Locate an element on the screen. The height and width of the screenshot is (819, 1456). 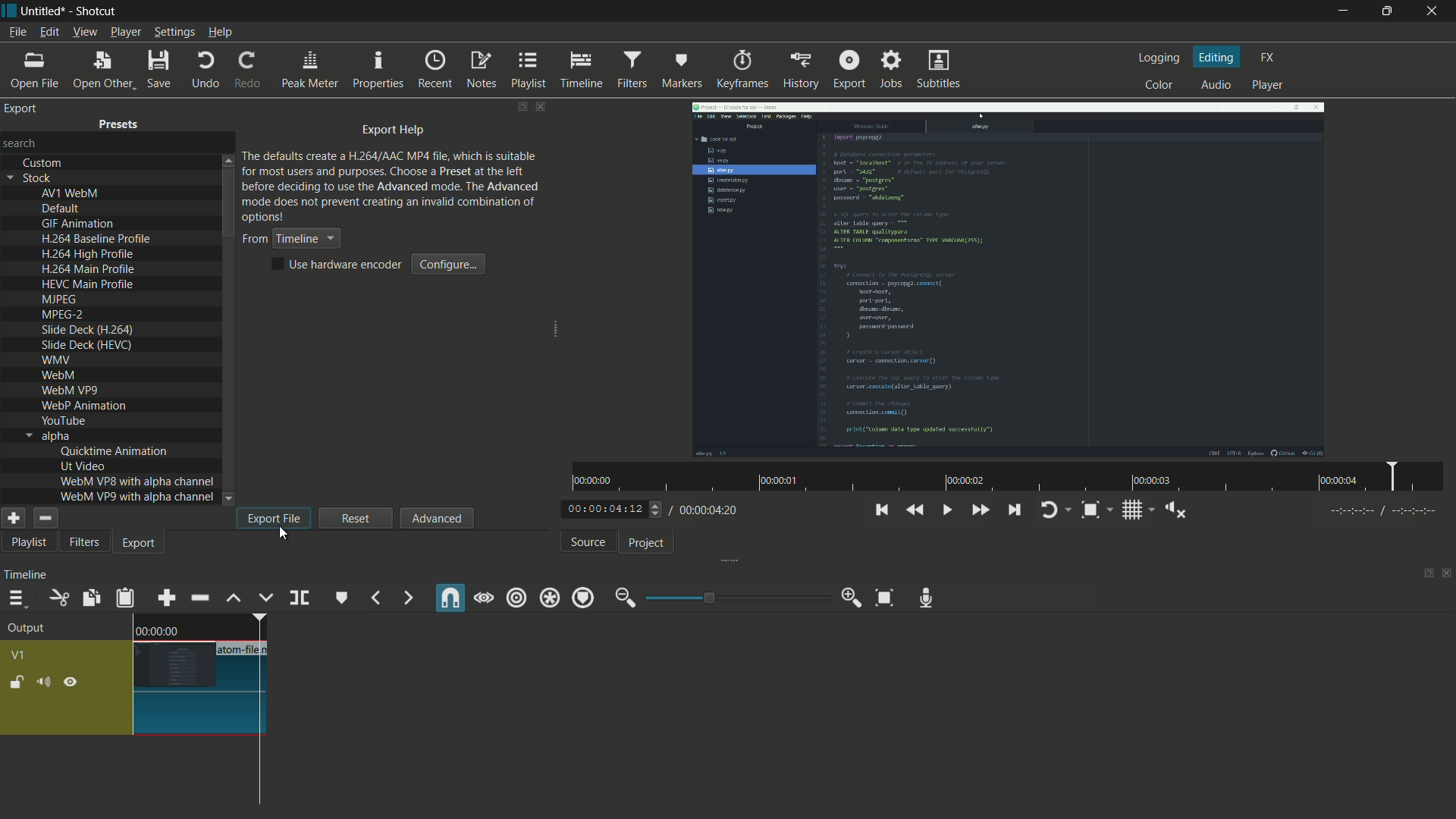
paste is located at coordinates (127, 600).